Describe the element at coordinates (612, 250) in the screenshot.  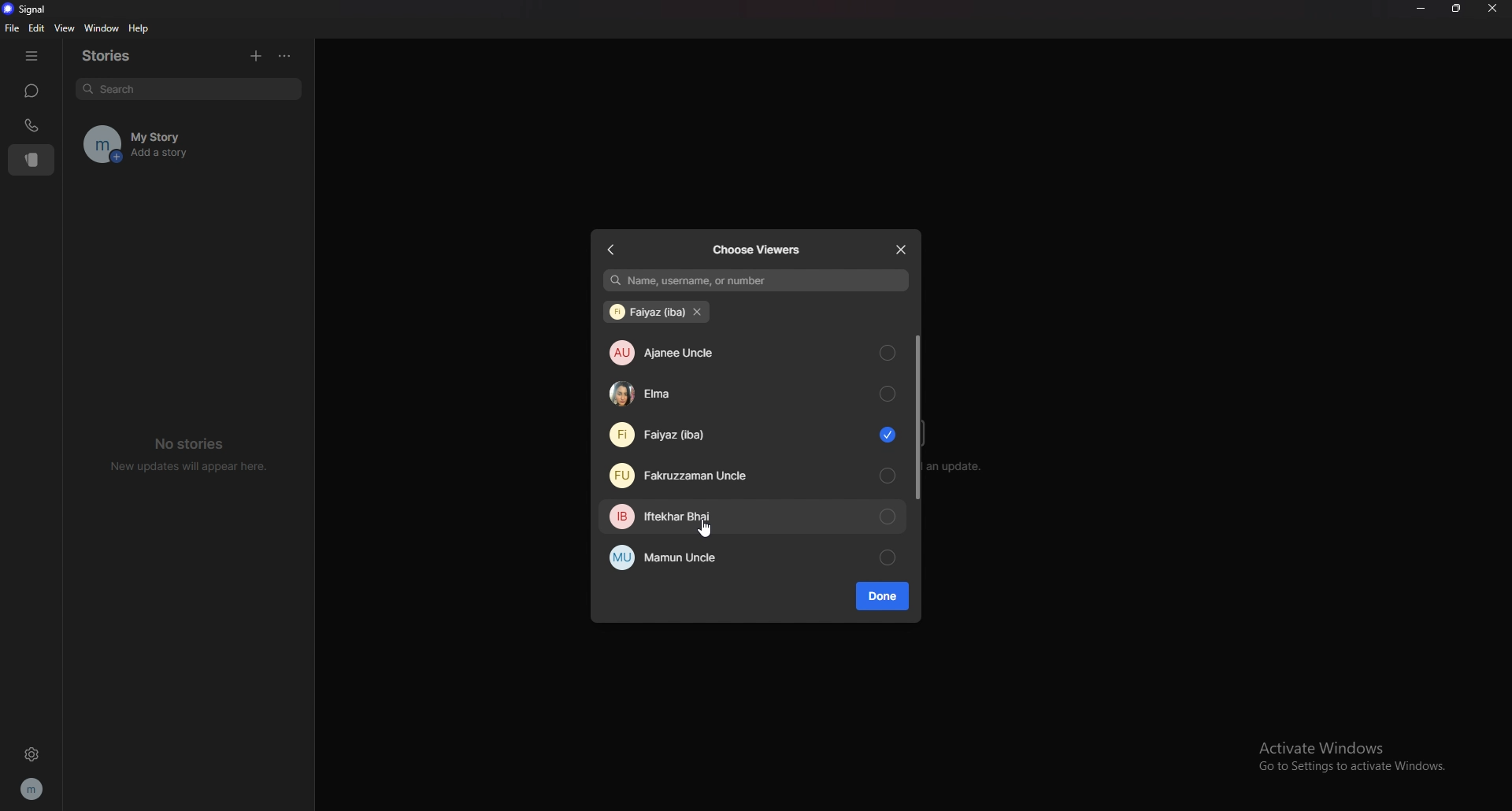
I see `back` at that location.